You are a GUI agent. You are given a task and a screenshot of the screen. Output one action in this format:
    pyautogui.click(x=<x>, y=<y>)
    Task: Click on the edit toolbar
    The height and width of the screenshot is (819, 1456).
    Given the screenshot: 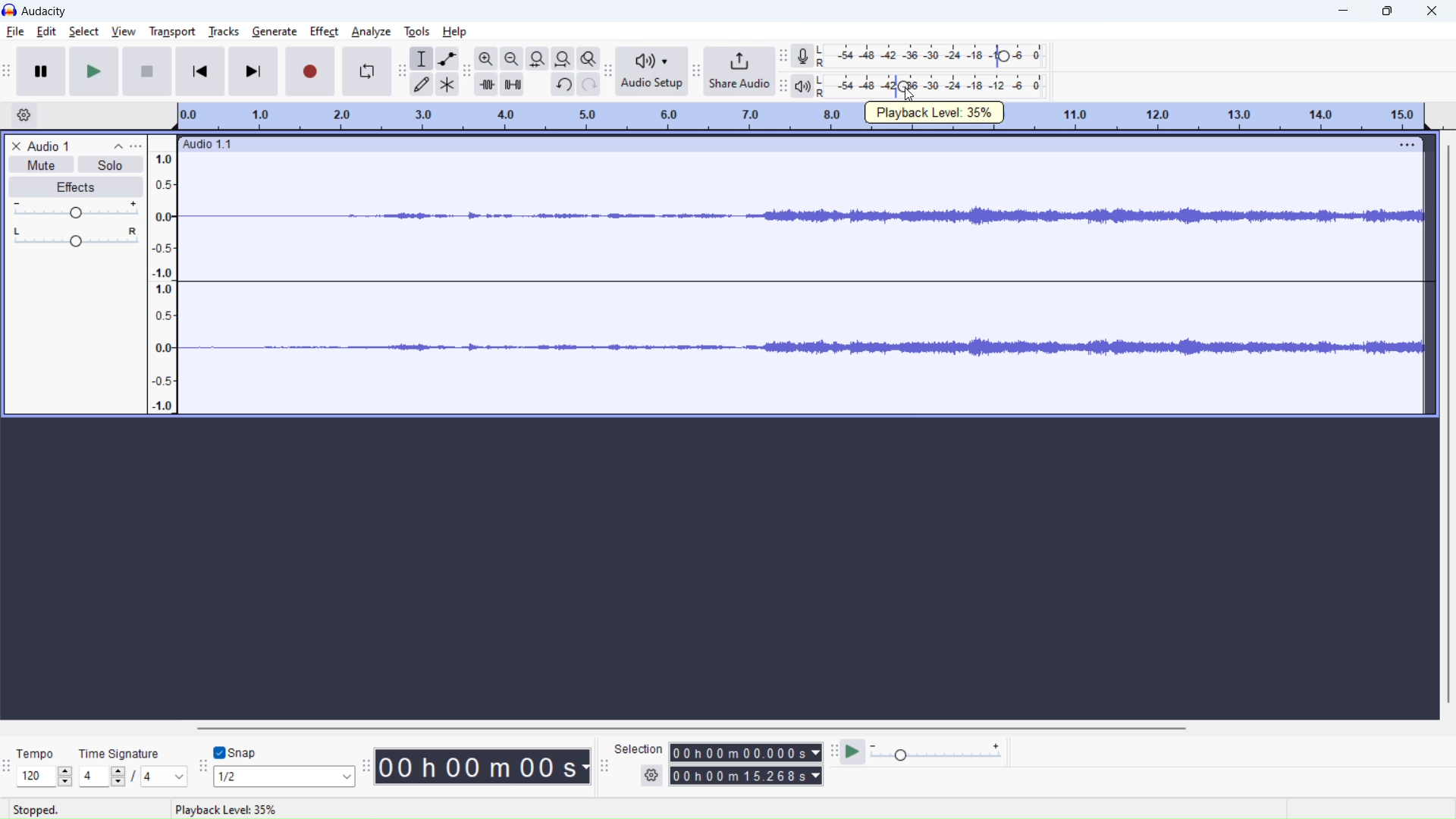 What is the action you would take?
    pyautogui.click(x=466, y=71)
    